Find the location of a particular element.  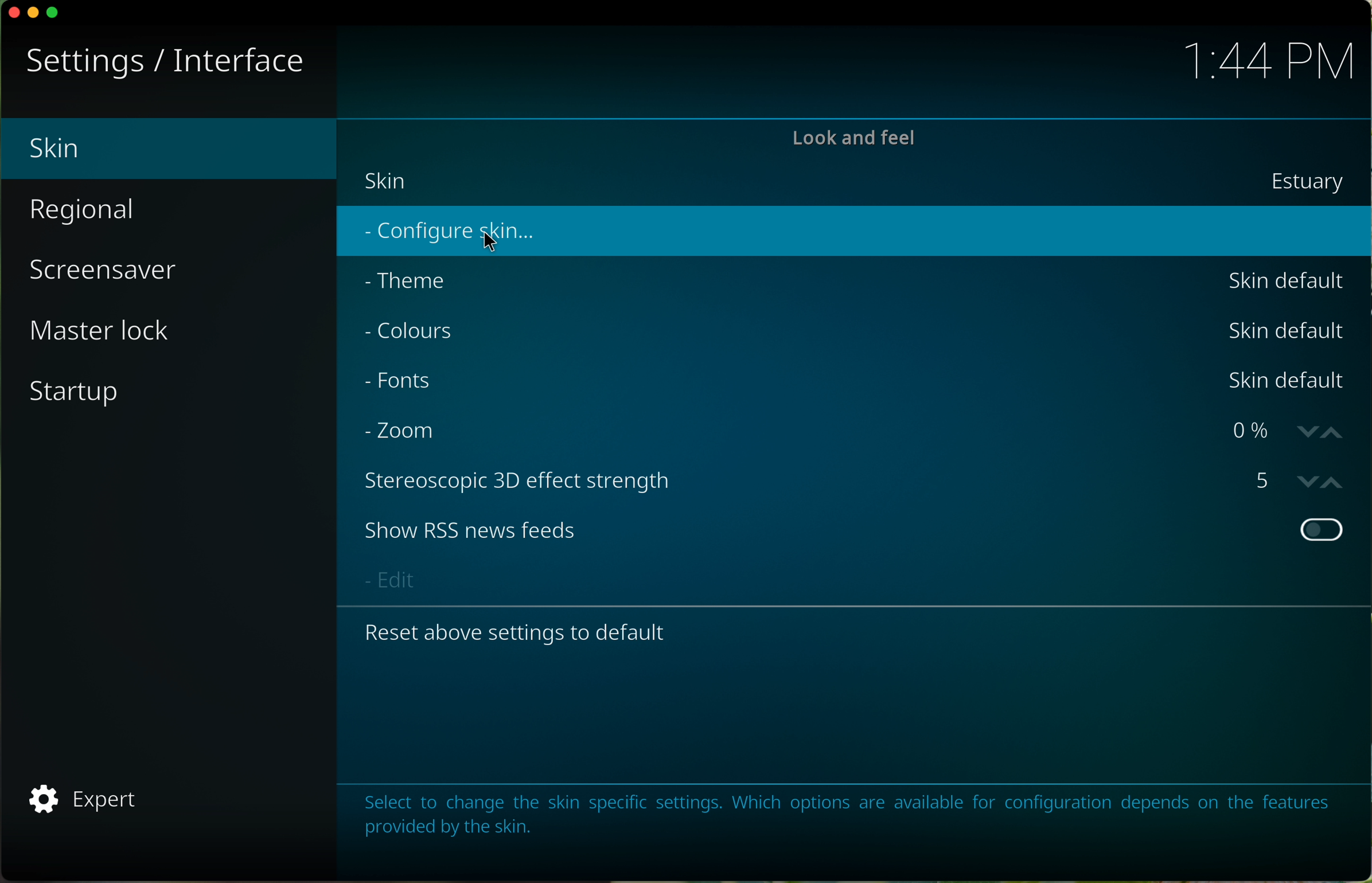

rgional is located at coordinates (85, 209).